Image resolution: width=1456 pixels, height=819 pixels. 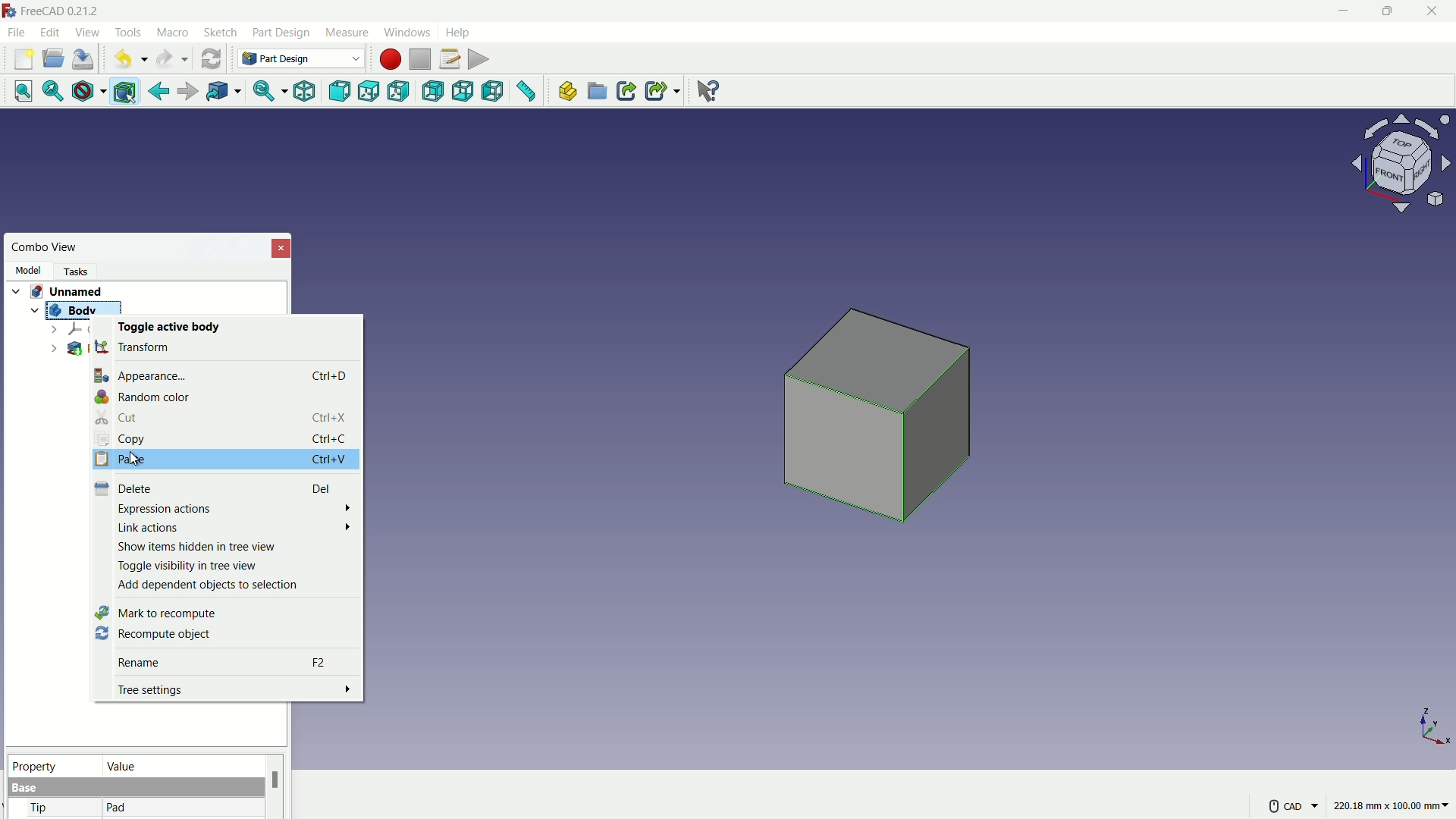 I want to click on cube, so click(x=882, y=423).